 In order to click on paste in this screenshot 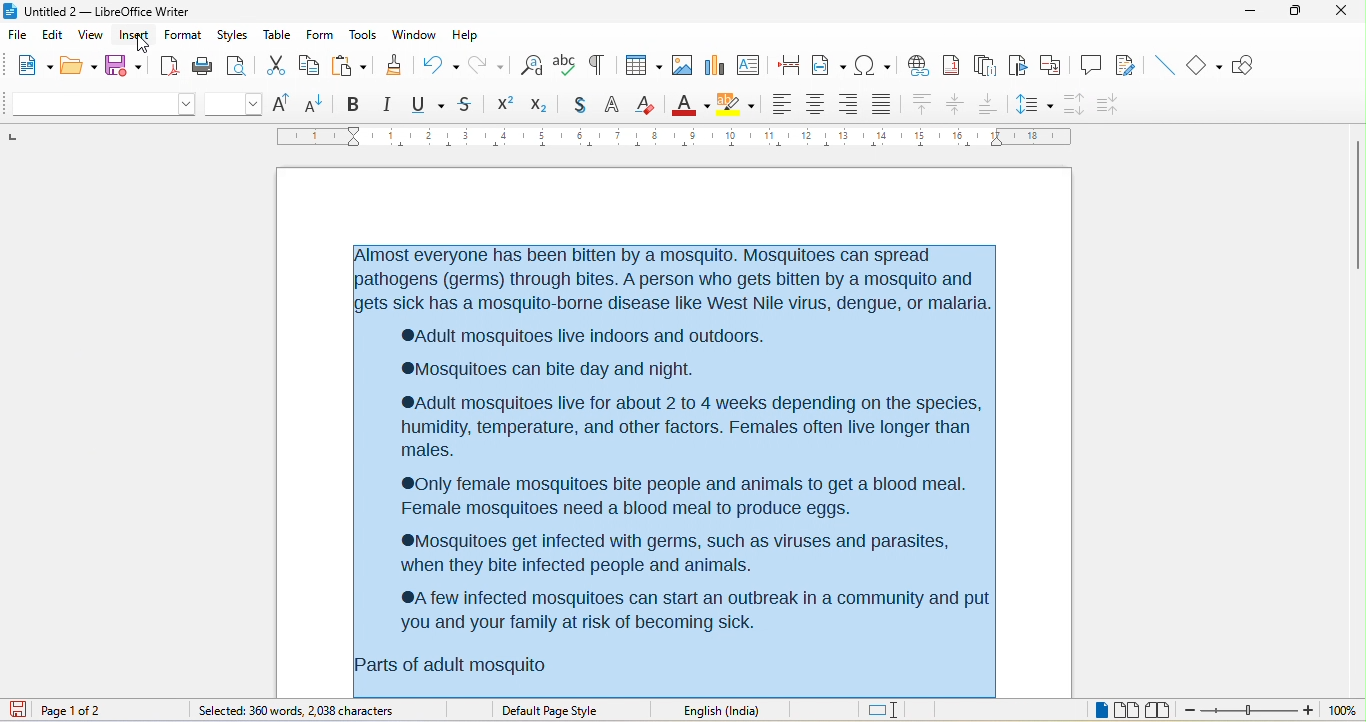, I will do `click(346, 65)`.